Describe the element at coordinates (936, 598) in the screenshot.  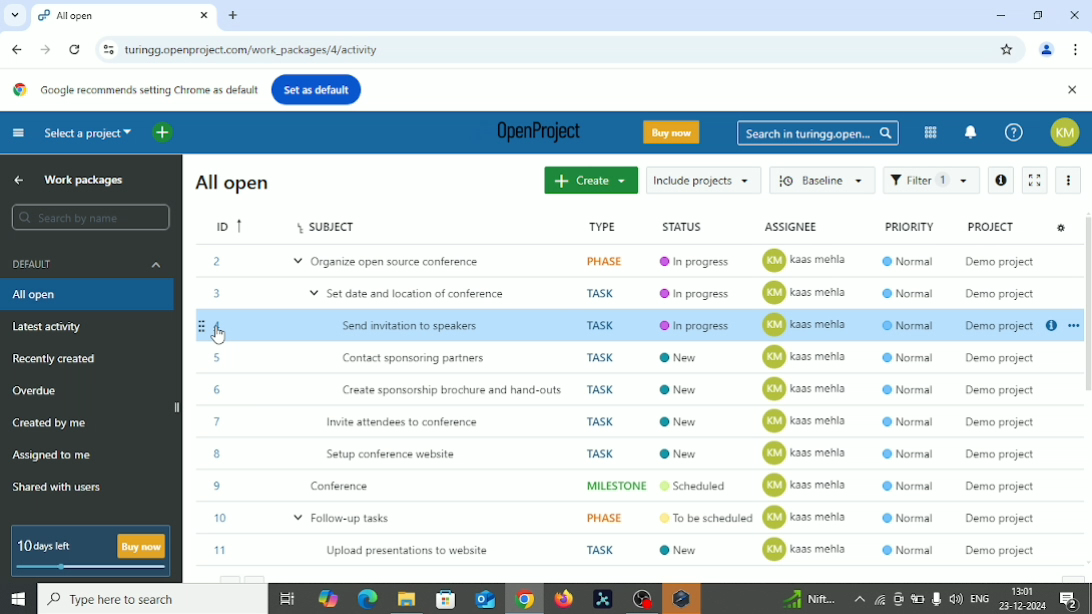
I see `Mic` at that location.